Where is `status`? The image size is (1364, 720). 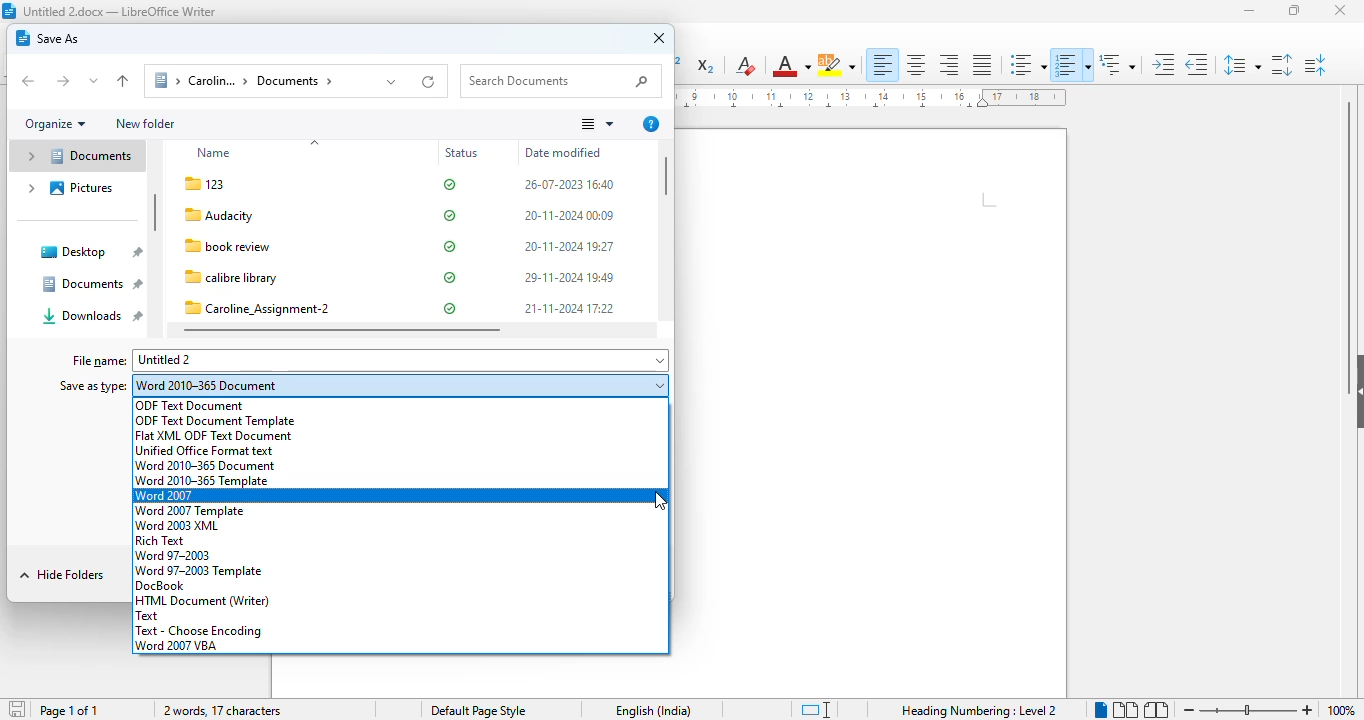
status is located at coordinates (450, 246).